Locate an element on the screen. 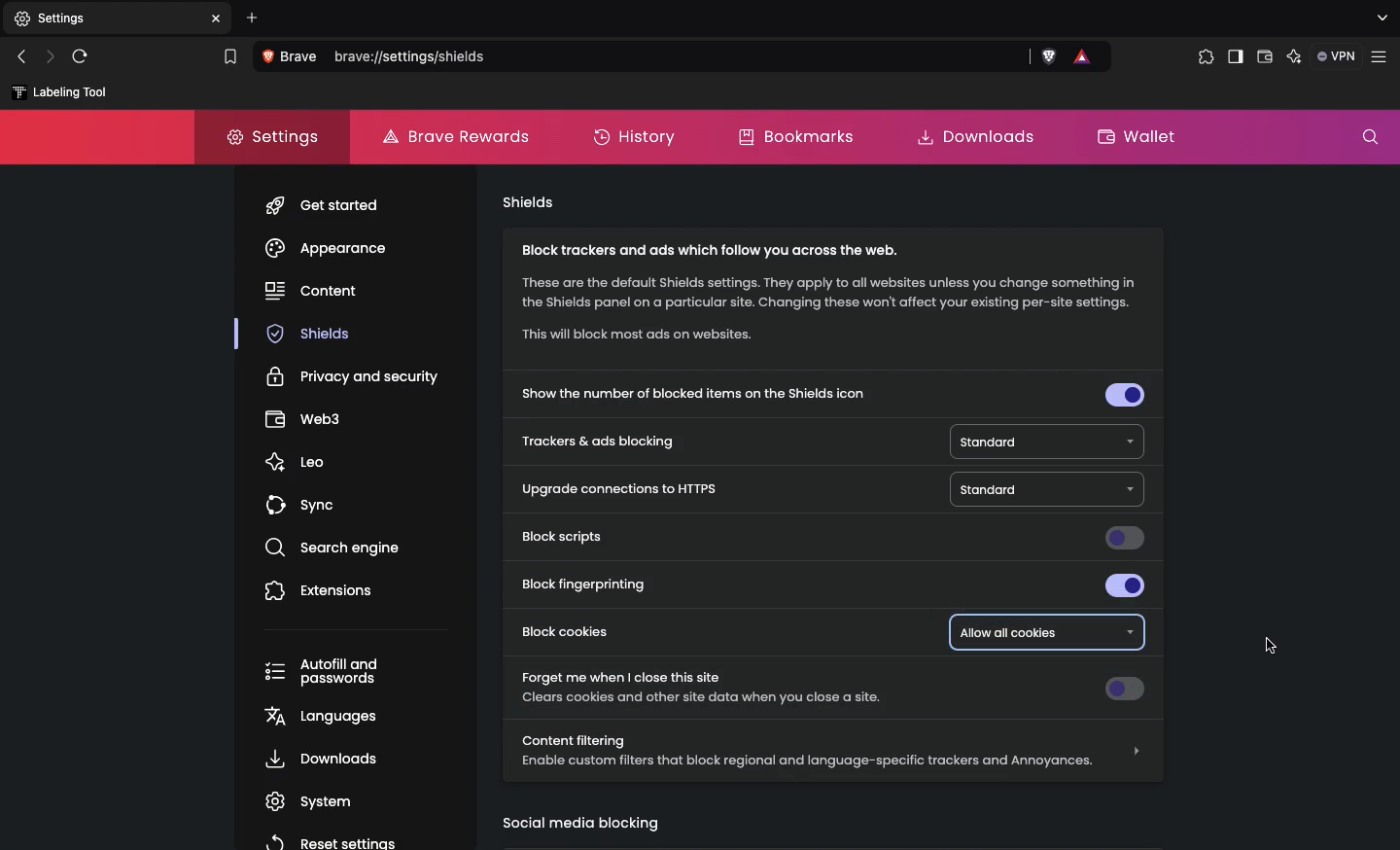 The width and height of the screenshot is (1400, 850). Standard is located at coordinates (1045, 489).